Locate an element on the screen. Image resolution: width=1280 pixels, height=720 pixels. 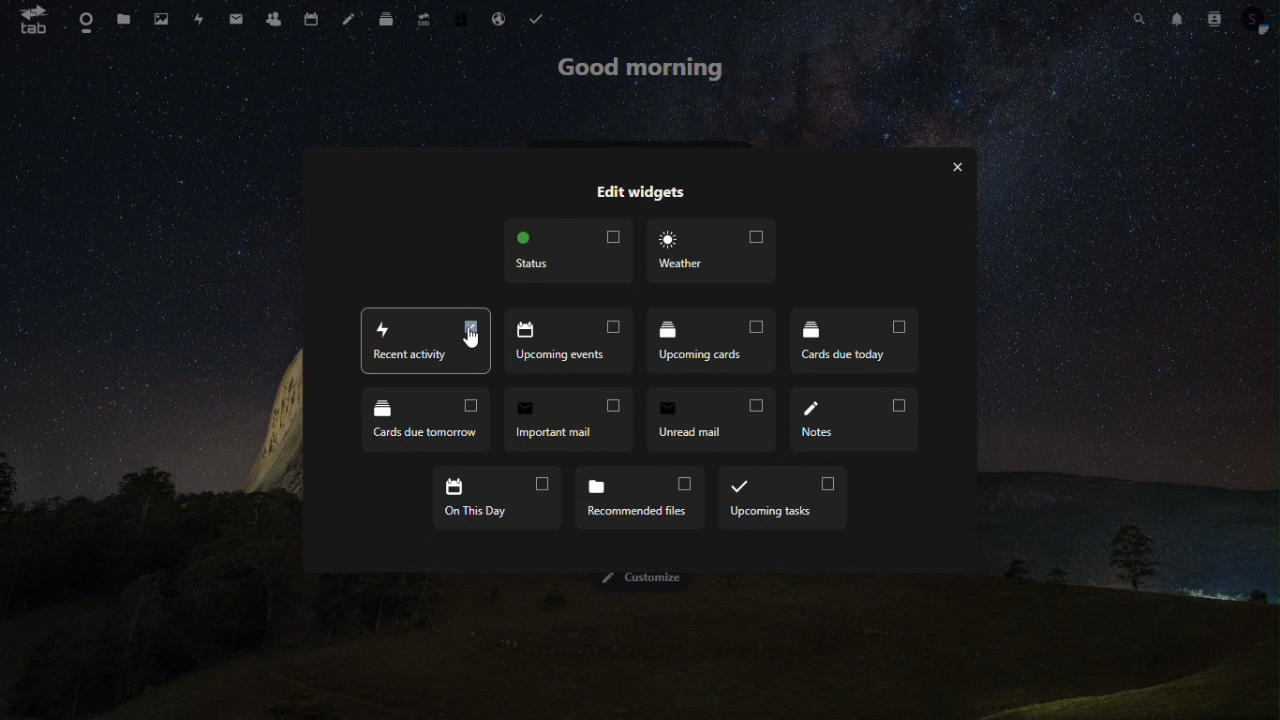
contacts is located at coordinates (276, 20).